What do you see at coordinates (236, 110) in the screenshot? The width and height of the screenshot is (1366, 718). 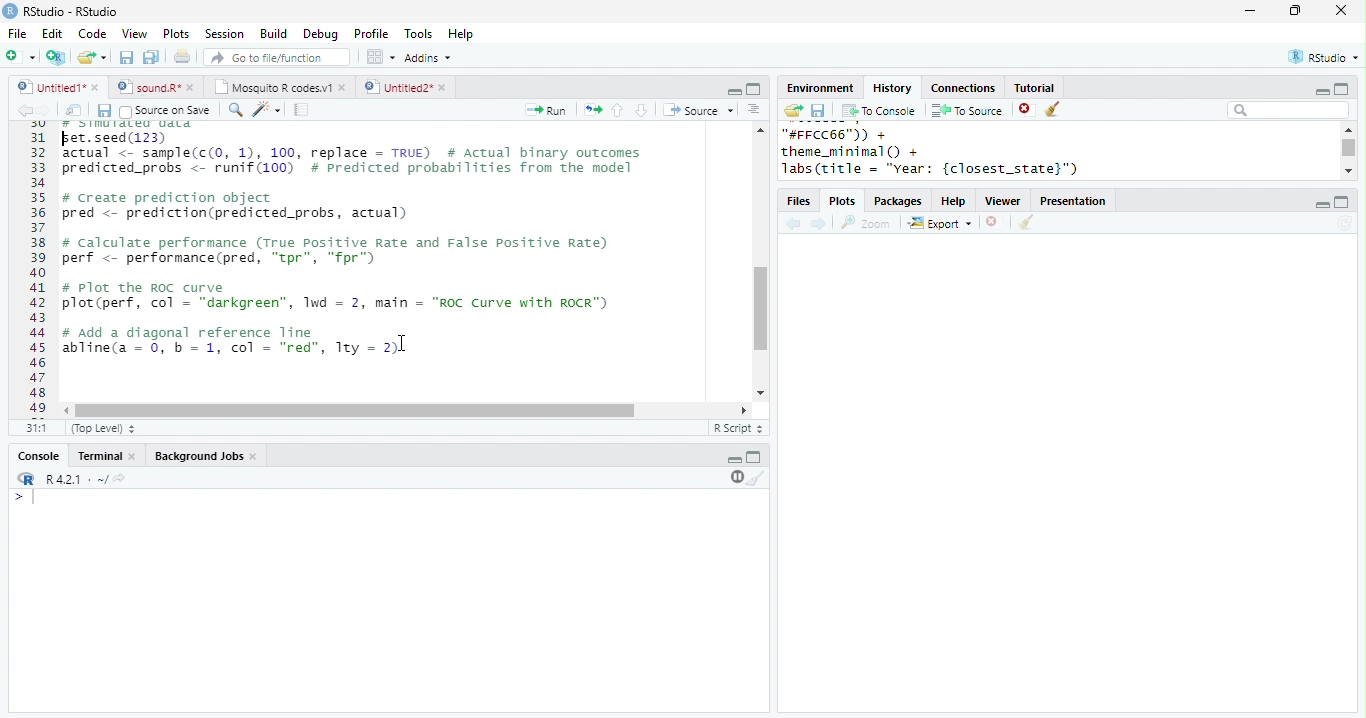 I see `search` at bounding box center [236, 110].